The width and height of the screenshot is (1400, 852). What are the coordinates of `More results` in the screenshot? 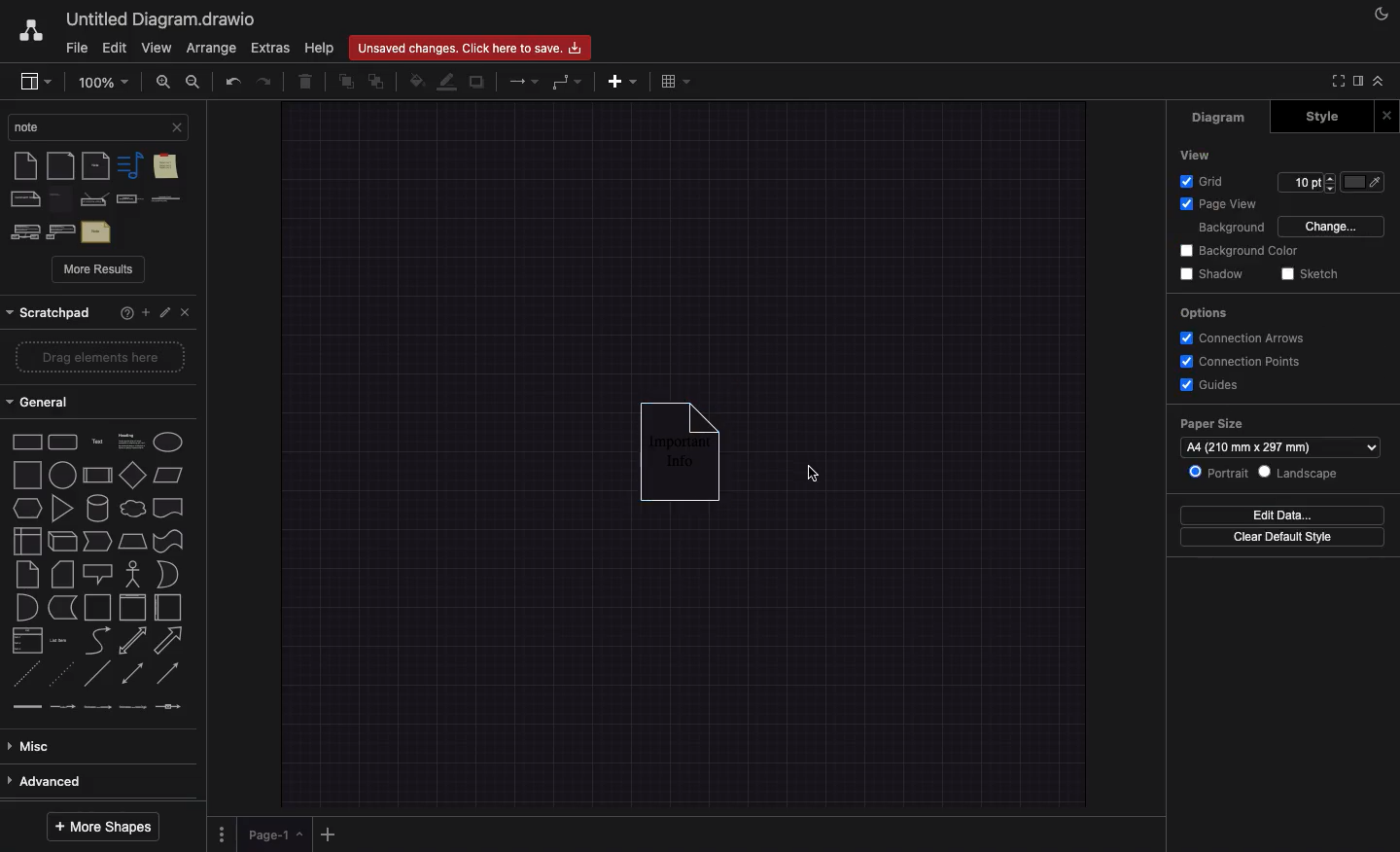 It's located at (99, 270).